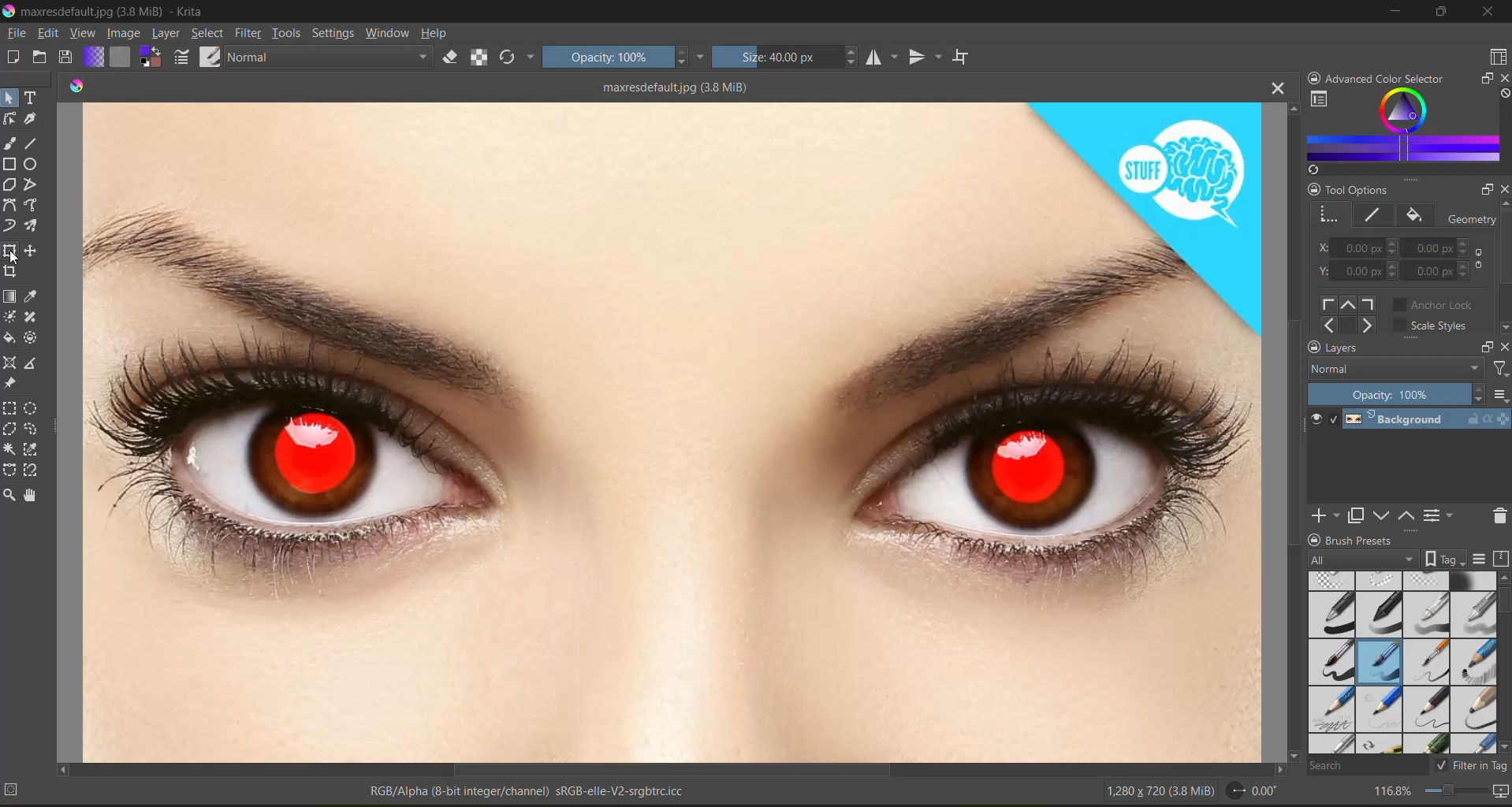 The width and height of the screenshot is (1512, 807). What do you see at coordinates (35, 203) in the screenshot?
I see `tool` at bounding box center [35, 203].